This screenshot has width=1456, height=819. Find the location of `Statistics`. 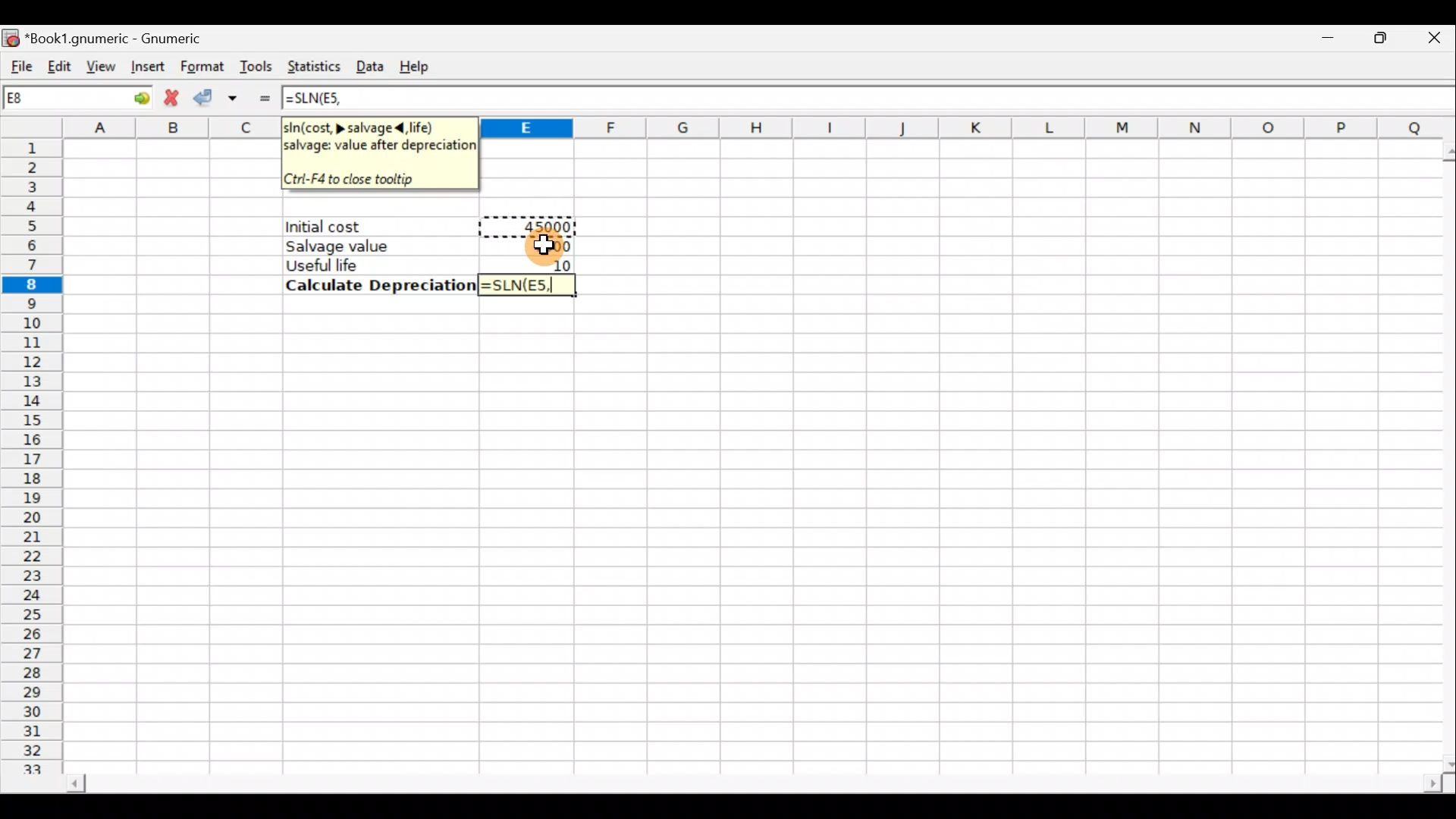

Statistics is located at coordinates (314, 63).